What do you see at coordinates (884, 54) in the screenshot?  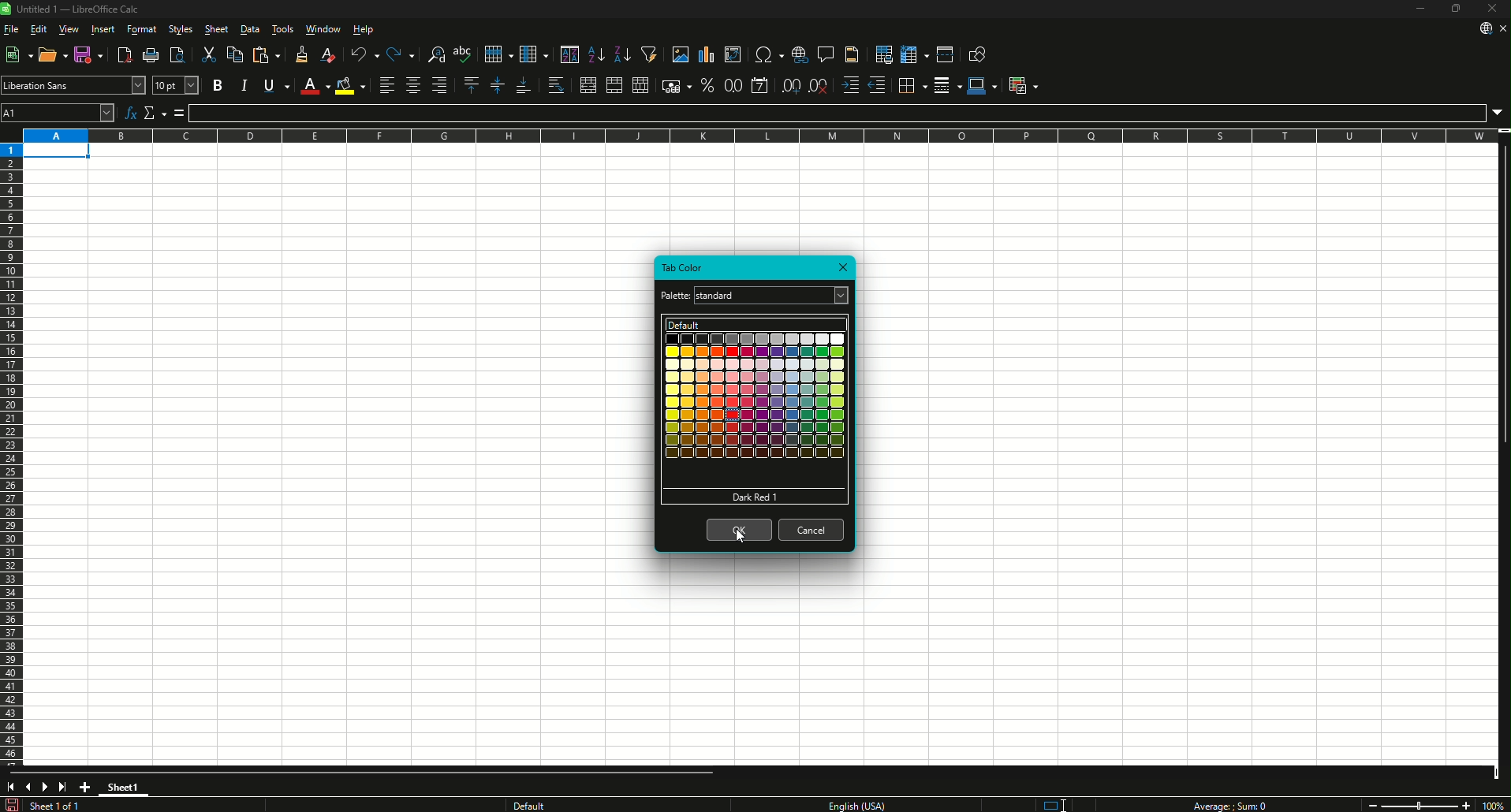 I see `Define Print Area` at bounding box center [884, 54].